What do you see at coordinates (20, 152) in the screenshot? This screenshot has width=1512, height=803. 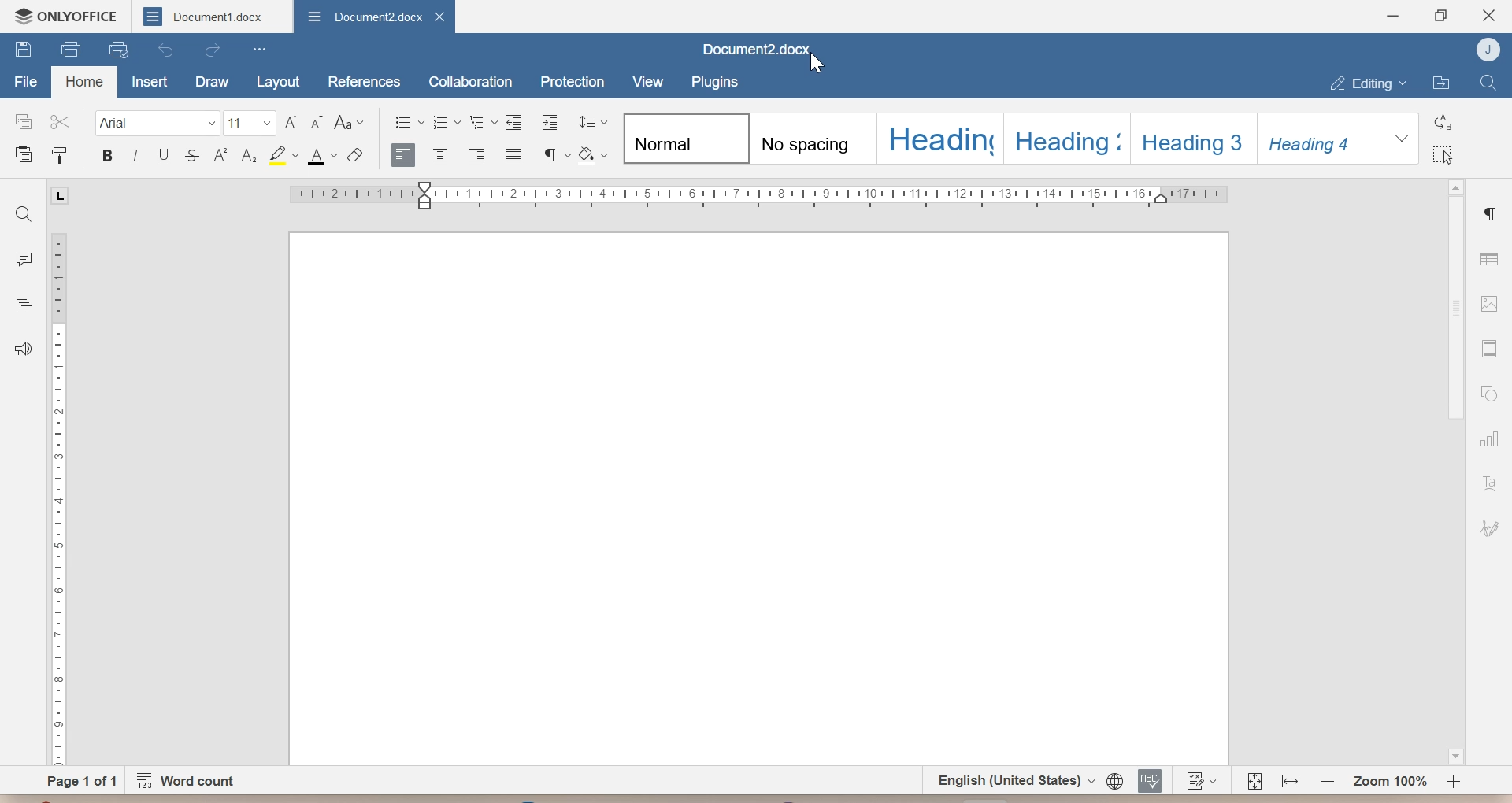 I see `Paste` at bounding box center [20, 152].